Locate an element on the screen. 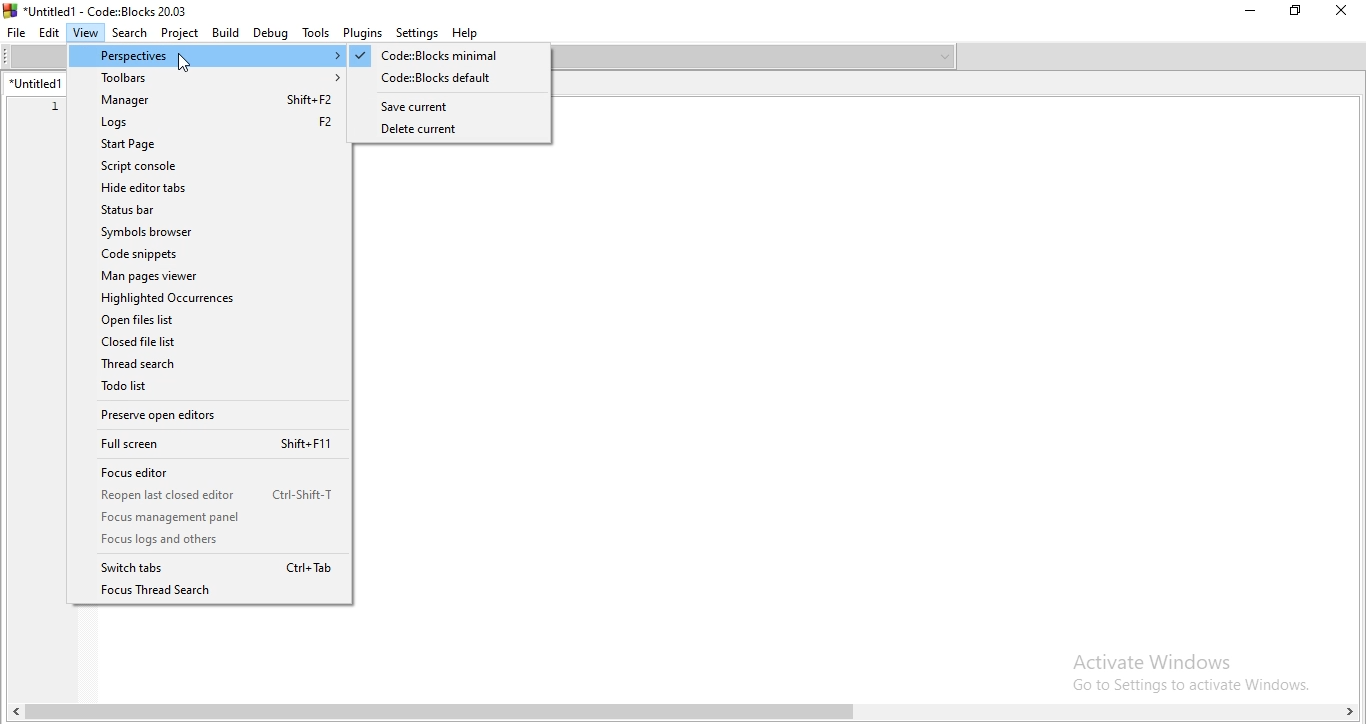 The height and width of the screenshot is (724, 1366). Perspectives is located at coordinates (209, 56).